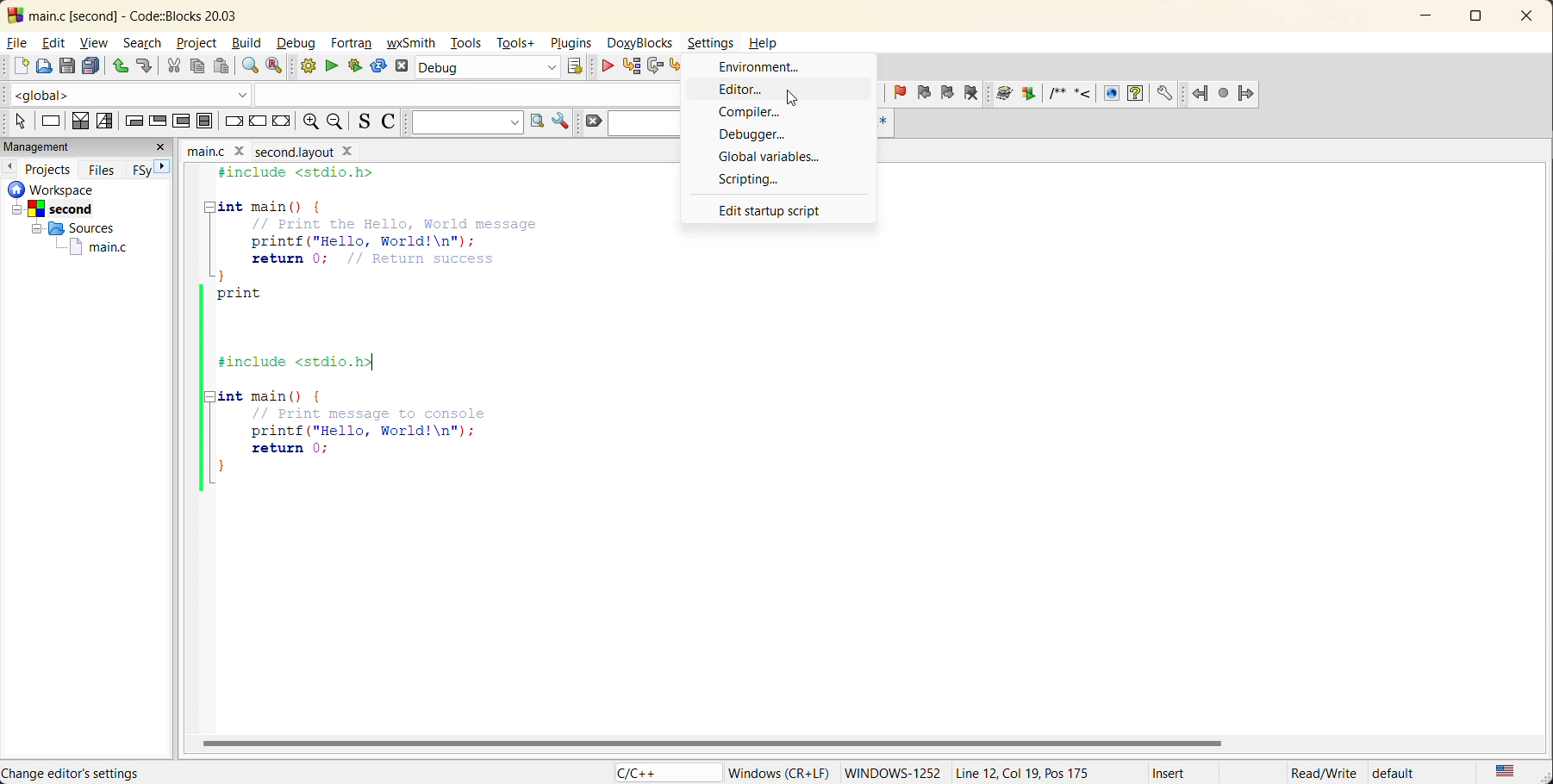 The image size is (1553, 784). I want to click on undo, so click(120, 65).